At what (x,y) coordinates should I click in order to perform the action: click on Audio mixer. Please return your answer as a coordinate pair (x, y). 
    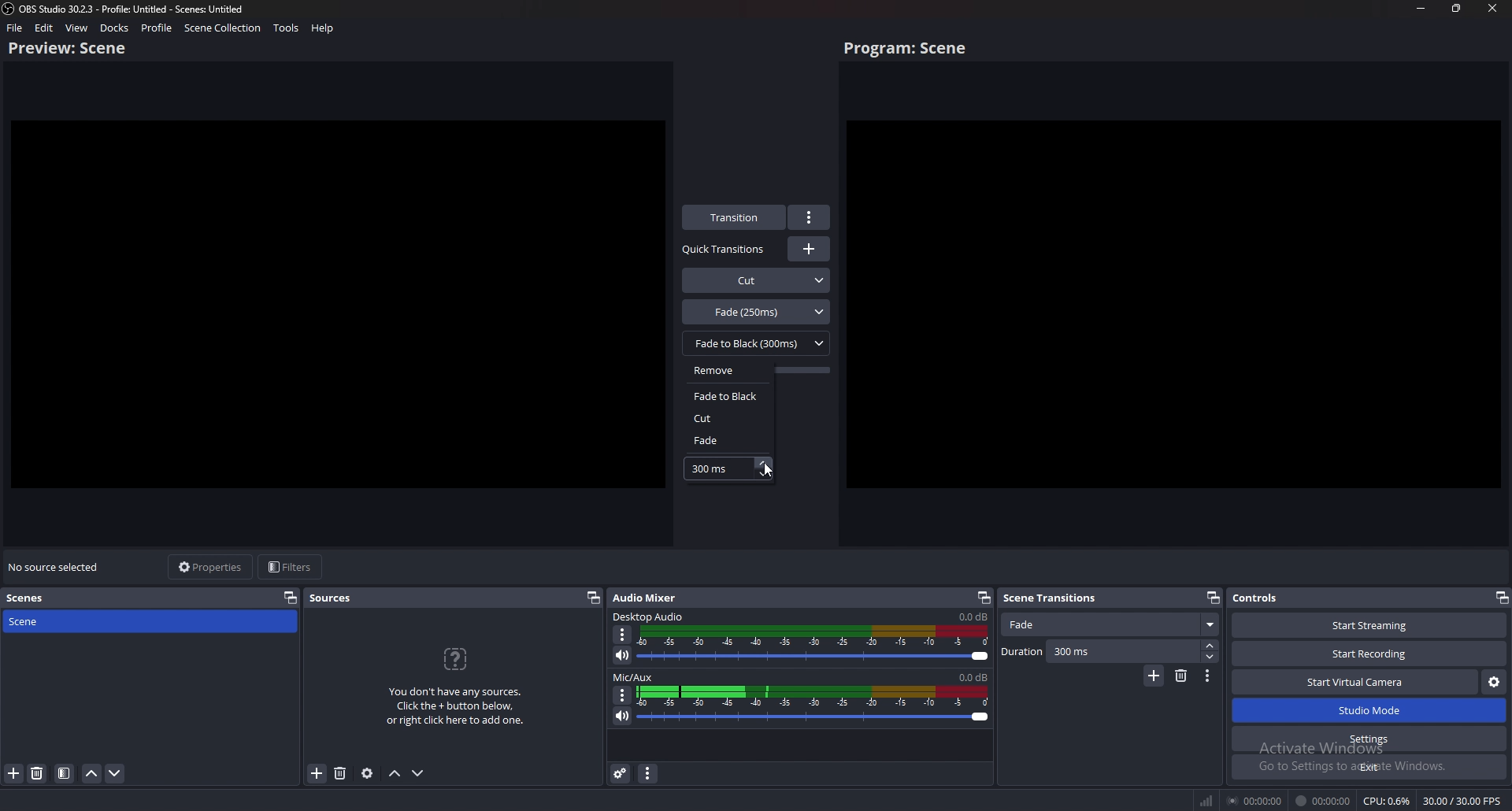
    Looking at the image, I should click on (649, 596).